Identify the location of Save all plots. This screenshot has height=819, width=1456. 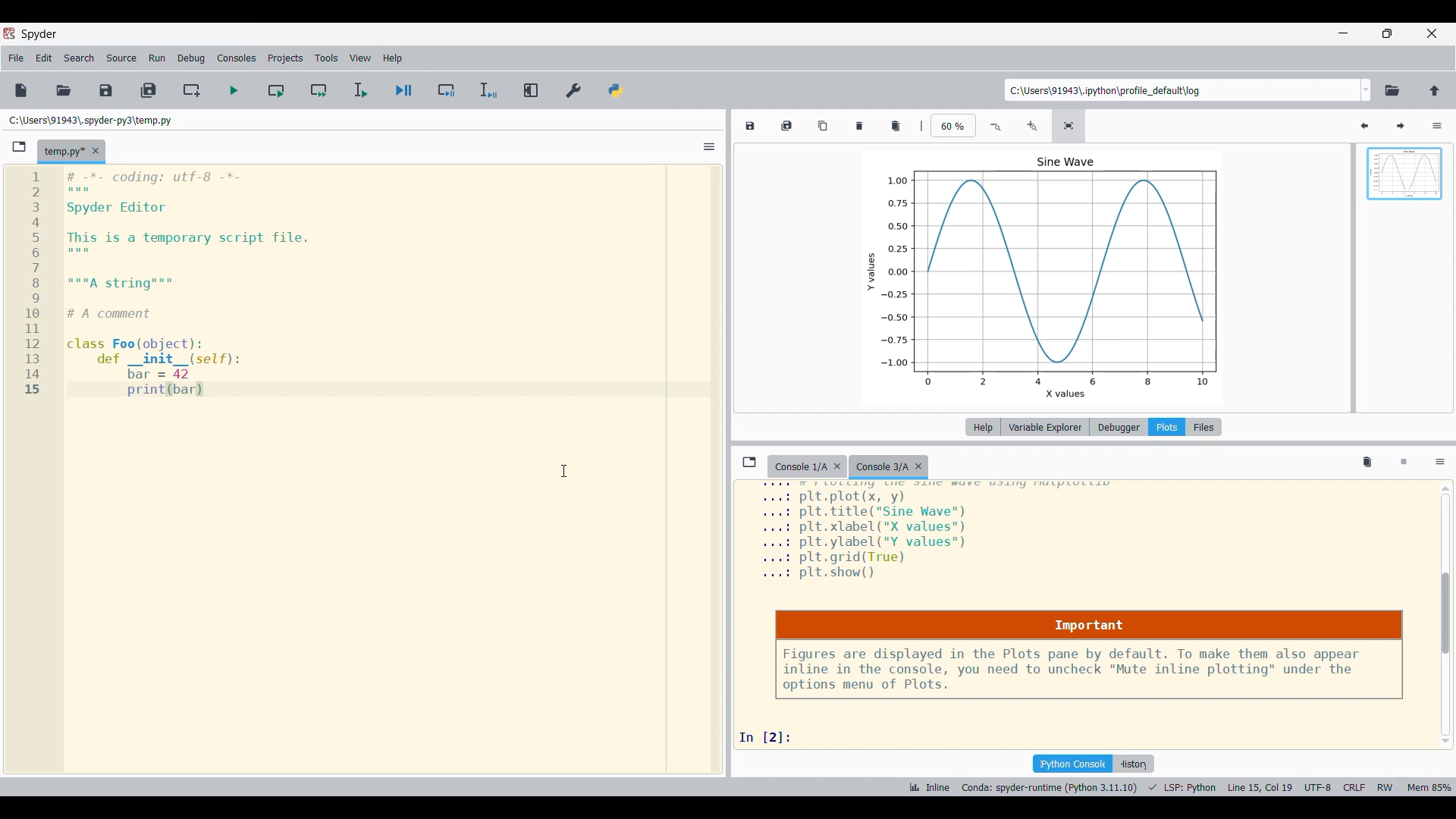
(786, 125).